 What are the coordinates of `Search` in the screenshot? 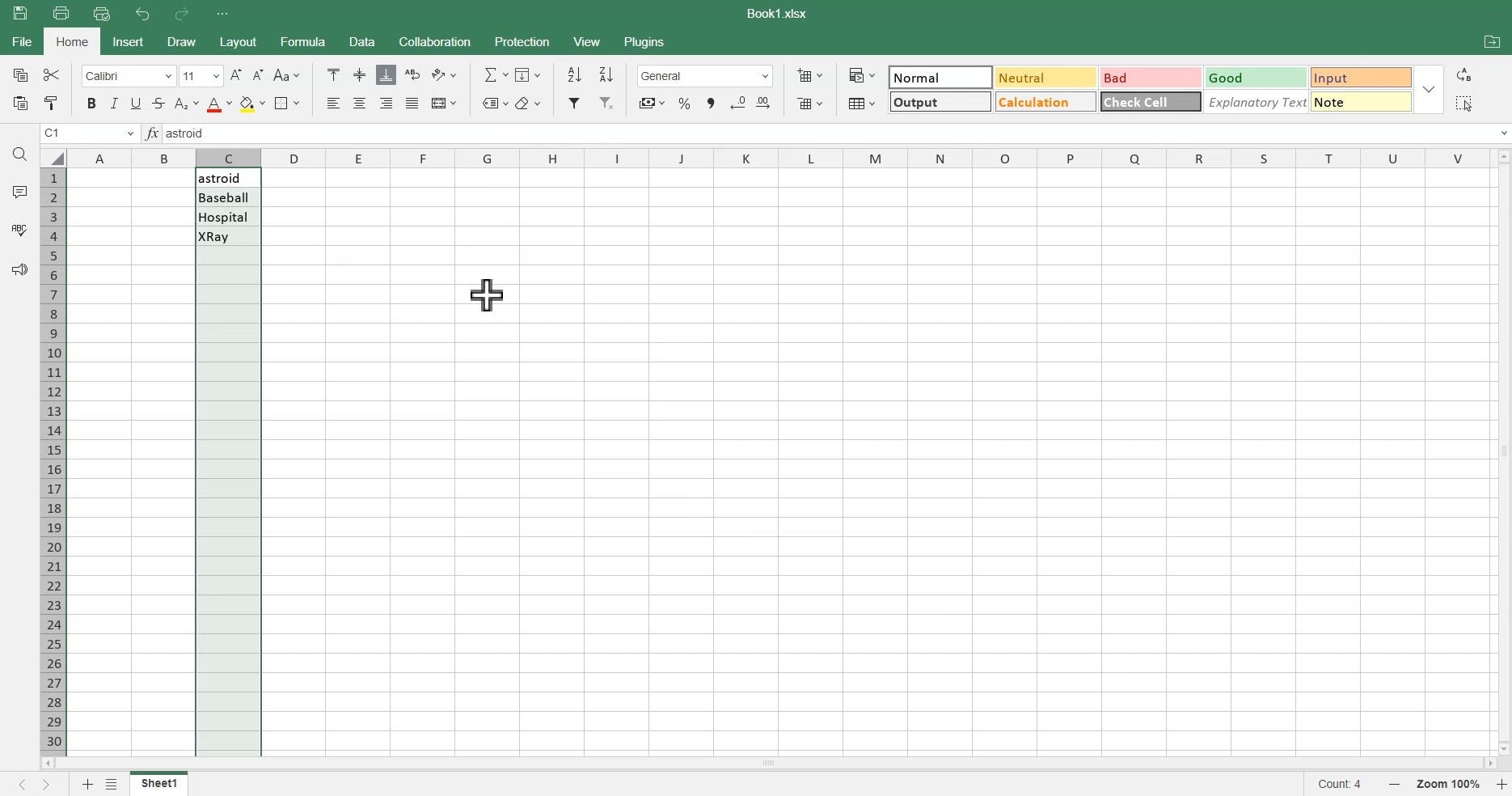 It's located at (21, 155).